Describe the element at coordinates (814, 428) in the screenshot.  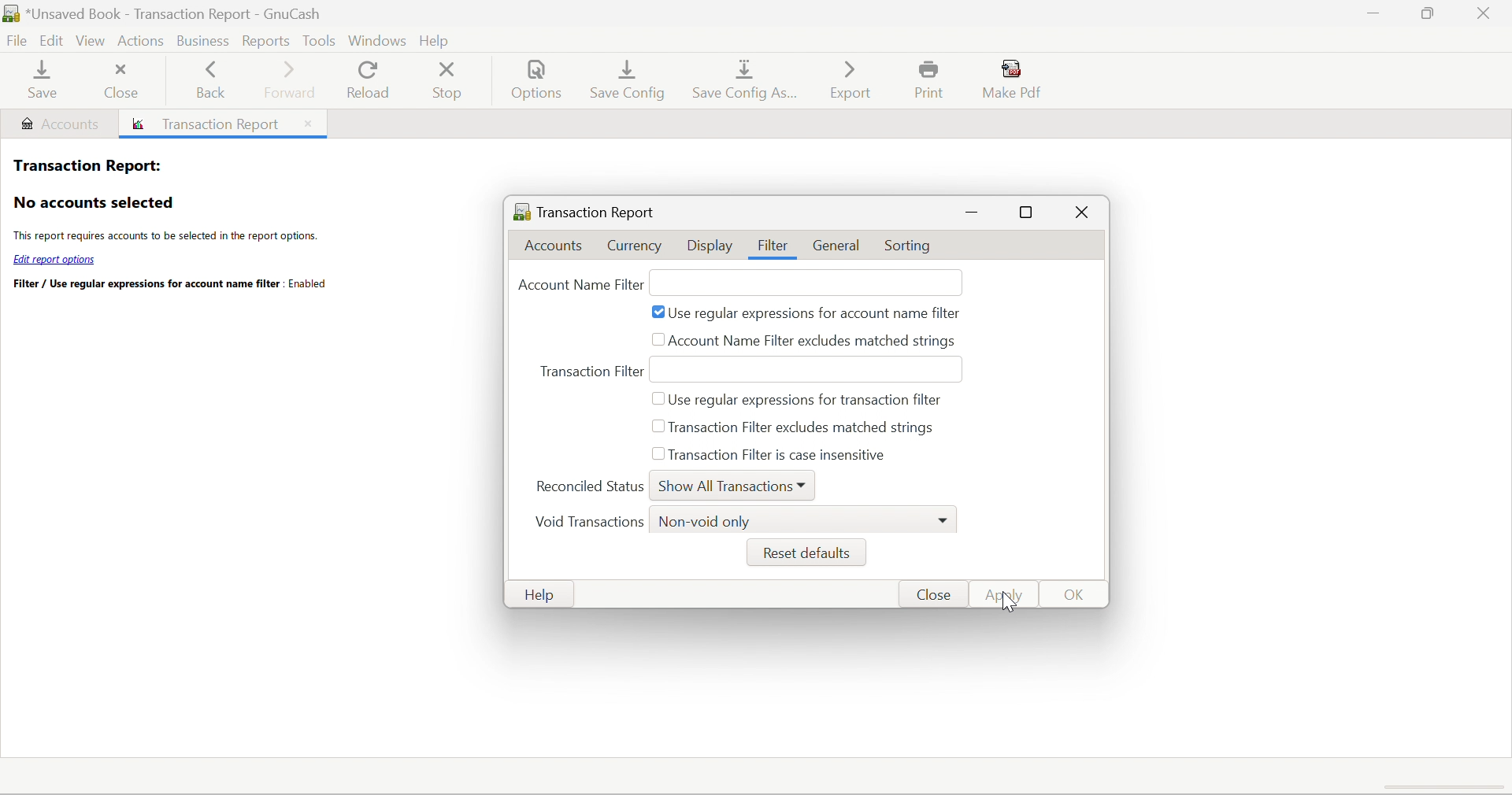
I see `Transaction Filter excludes matched strings` at that location.